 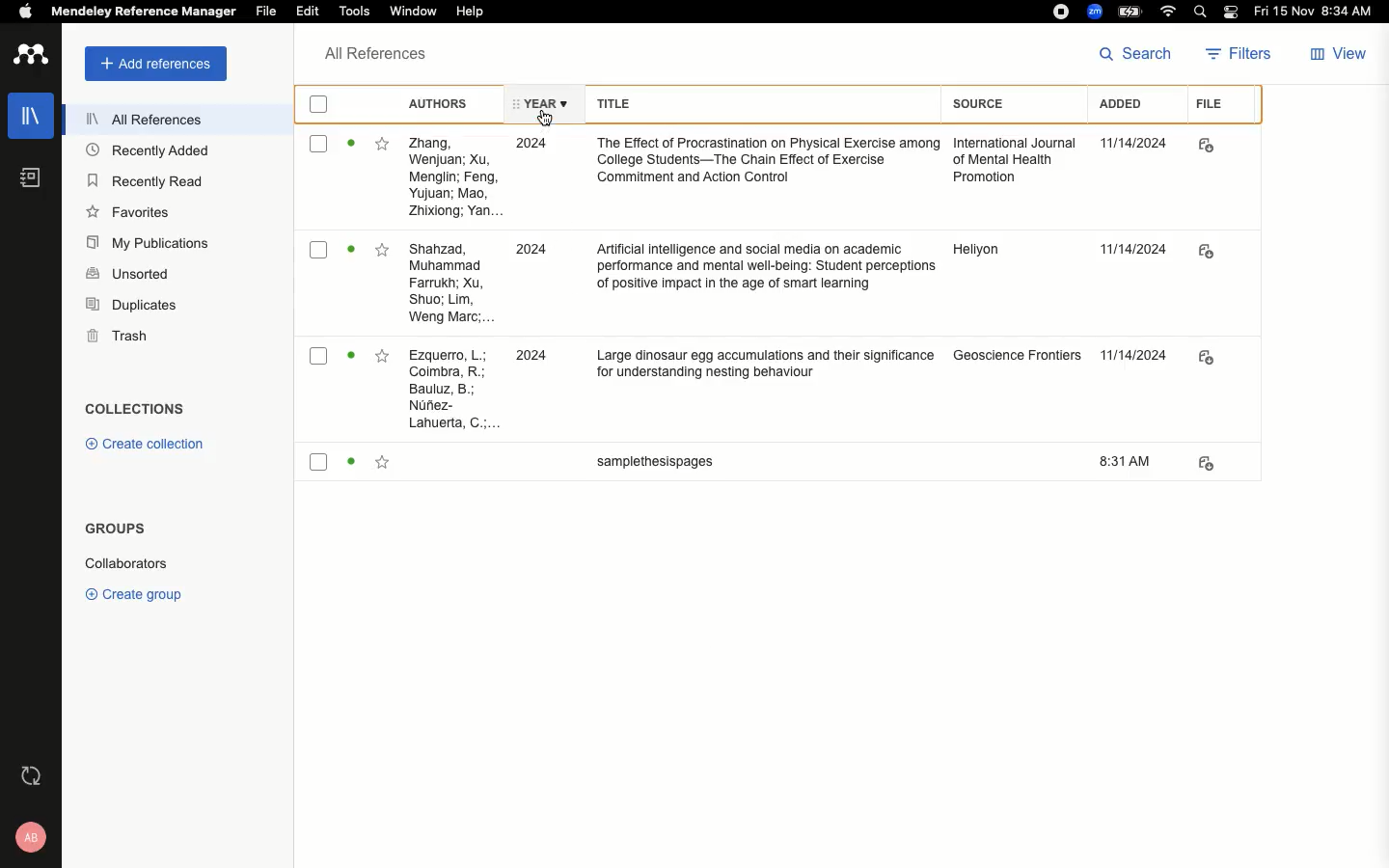 I want to click on Window, so click(x=415, y=12).